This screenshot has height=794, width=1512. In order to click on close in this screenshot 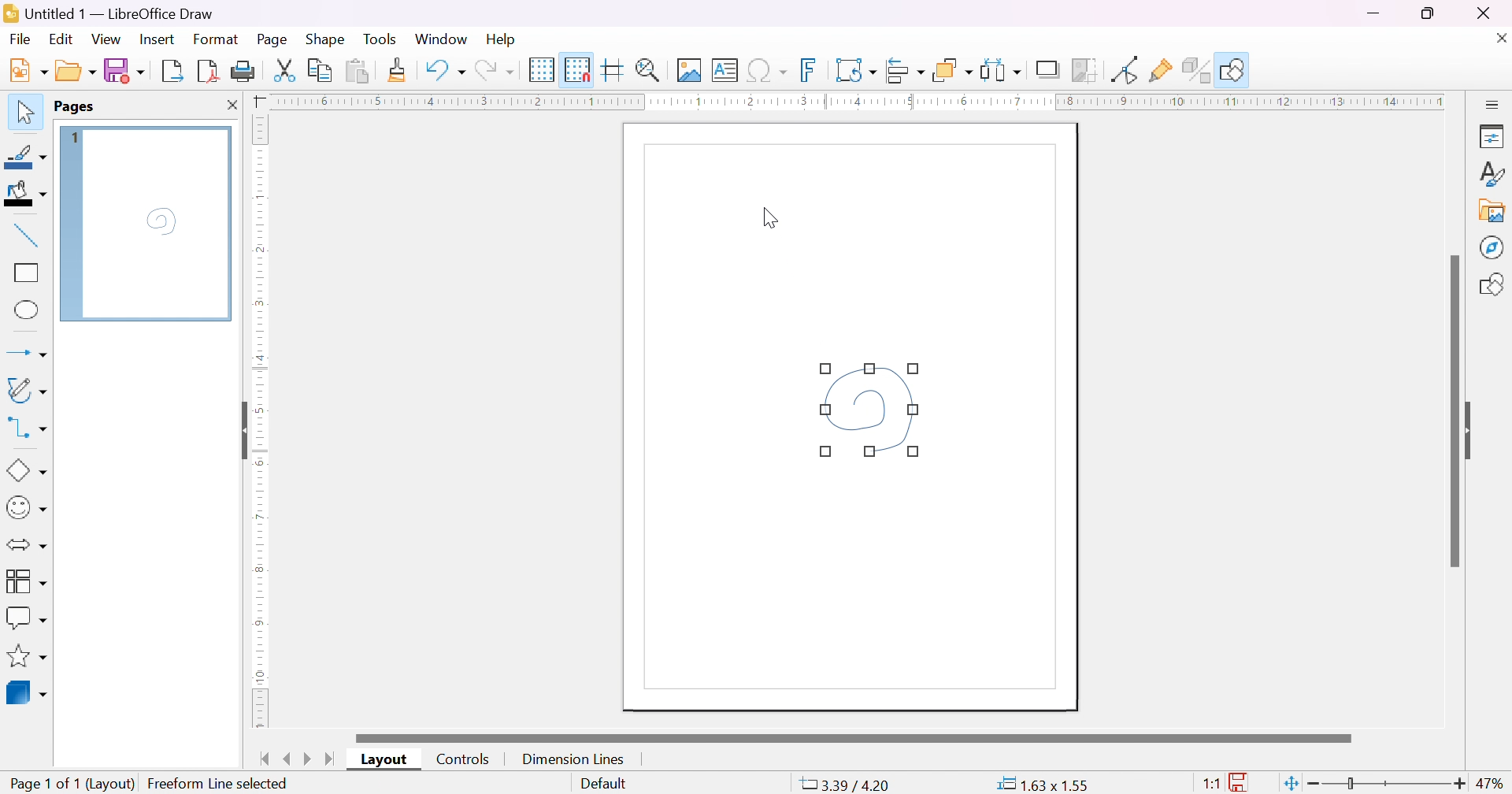, I will do `click(232, 104)`.